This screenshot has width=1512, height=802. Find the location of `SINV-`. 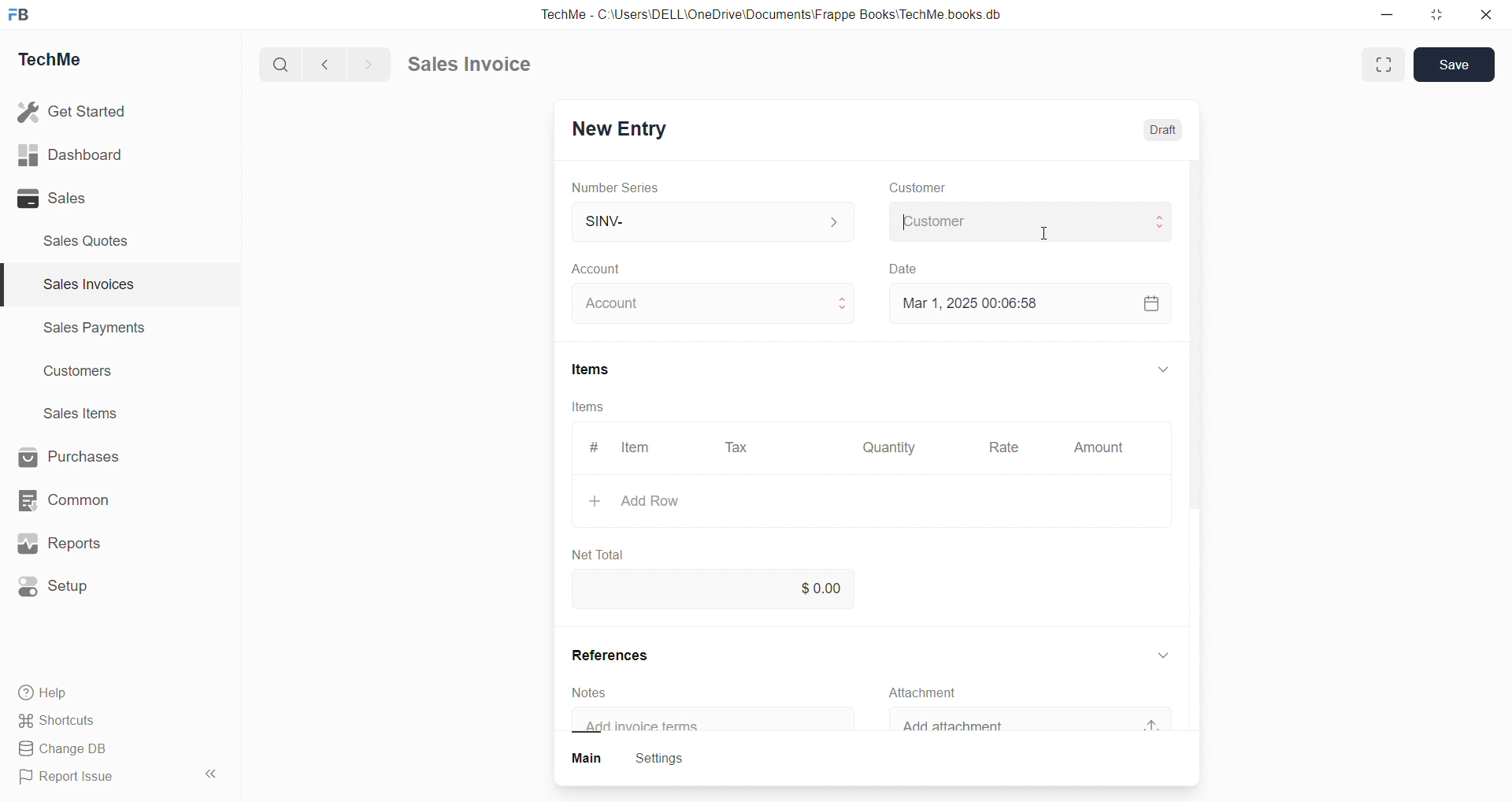

SINV- is located at coordinates (694, 221).